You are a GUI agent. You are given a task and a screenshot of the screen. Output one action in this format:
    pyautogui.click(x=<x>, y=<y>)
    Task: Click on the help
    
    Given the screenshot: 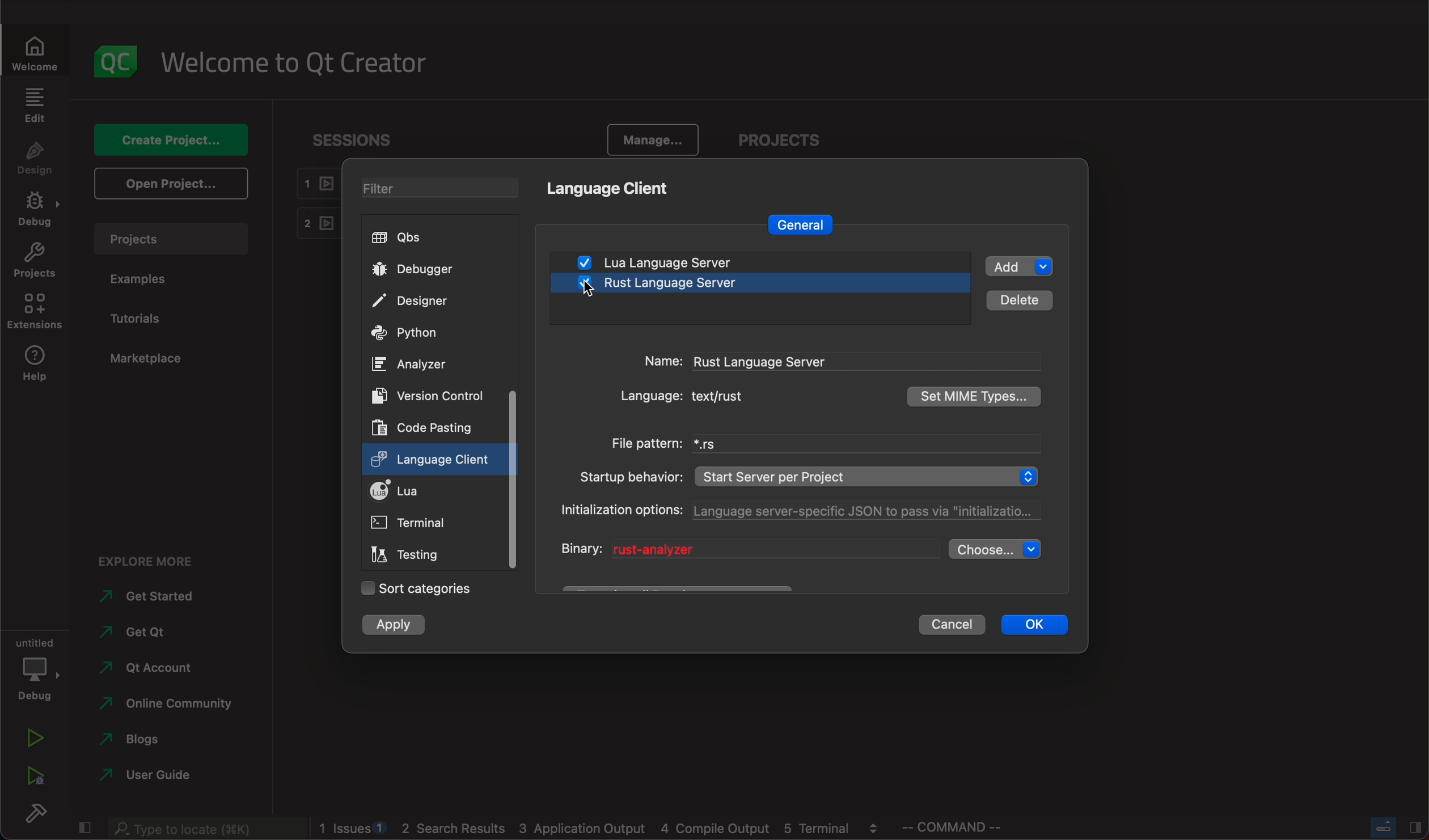 What is the action you would take?
    pyautogui.click(x=36, y=366)
    